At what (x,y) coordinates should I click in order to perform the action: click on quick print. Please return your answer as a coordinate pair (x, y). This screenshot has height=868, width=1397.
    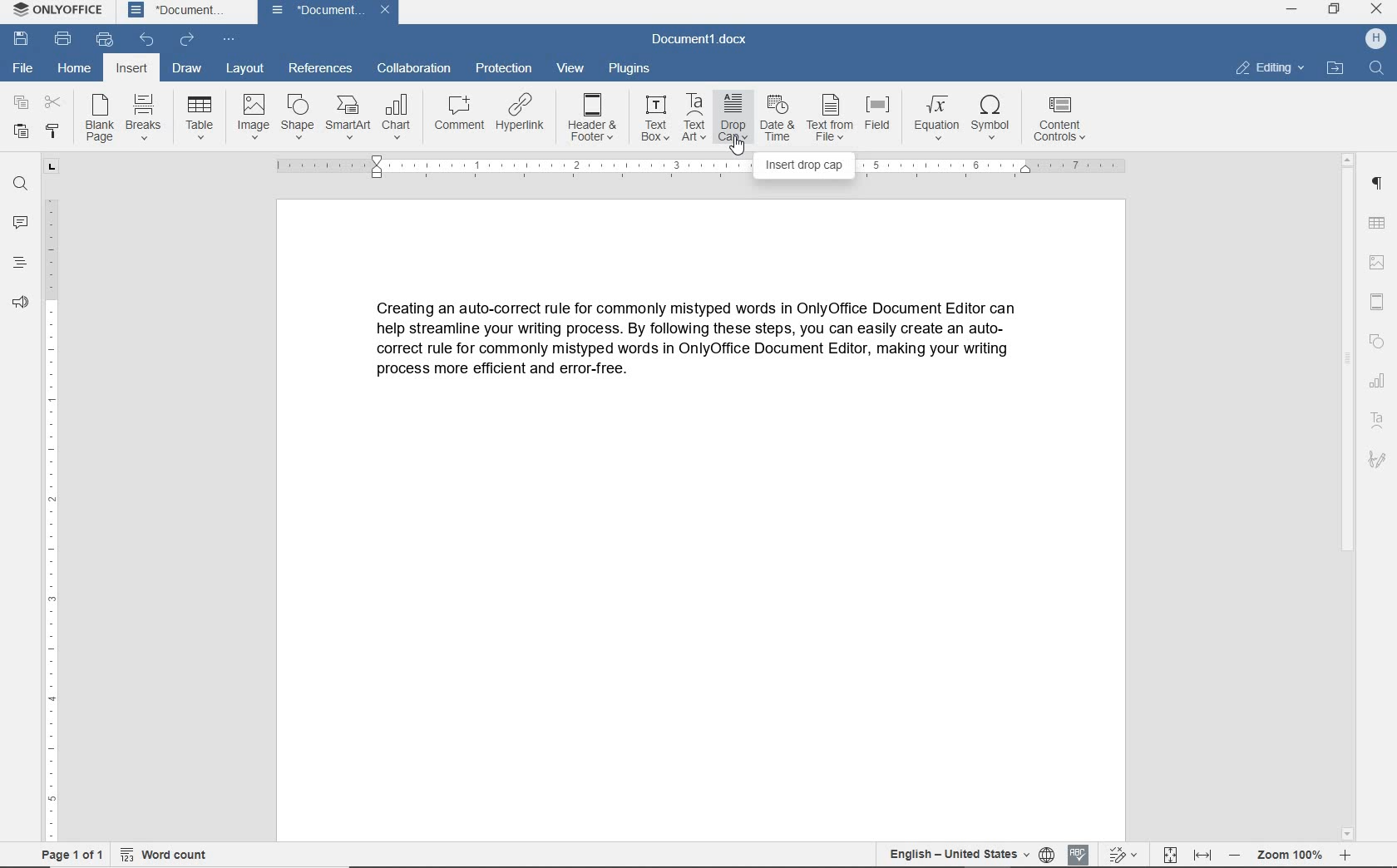
    Looking at the image, I should click on (105, 39).